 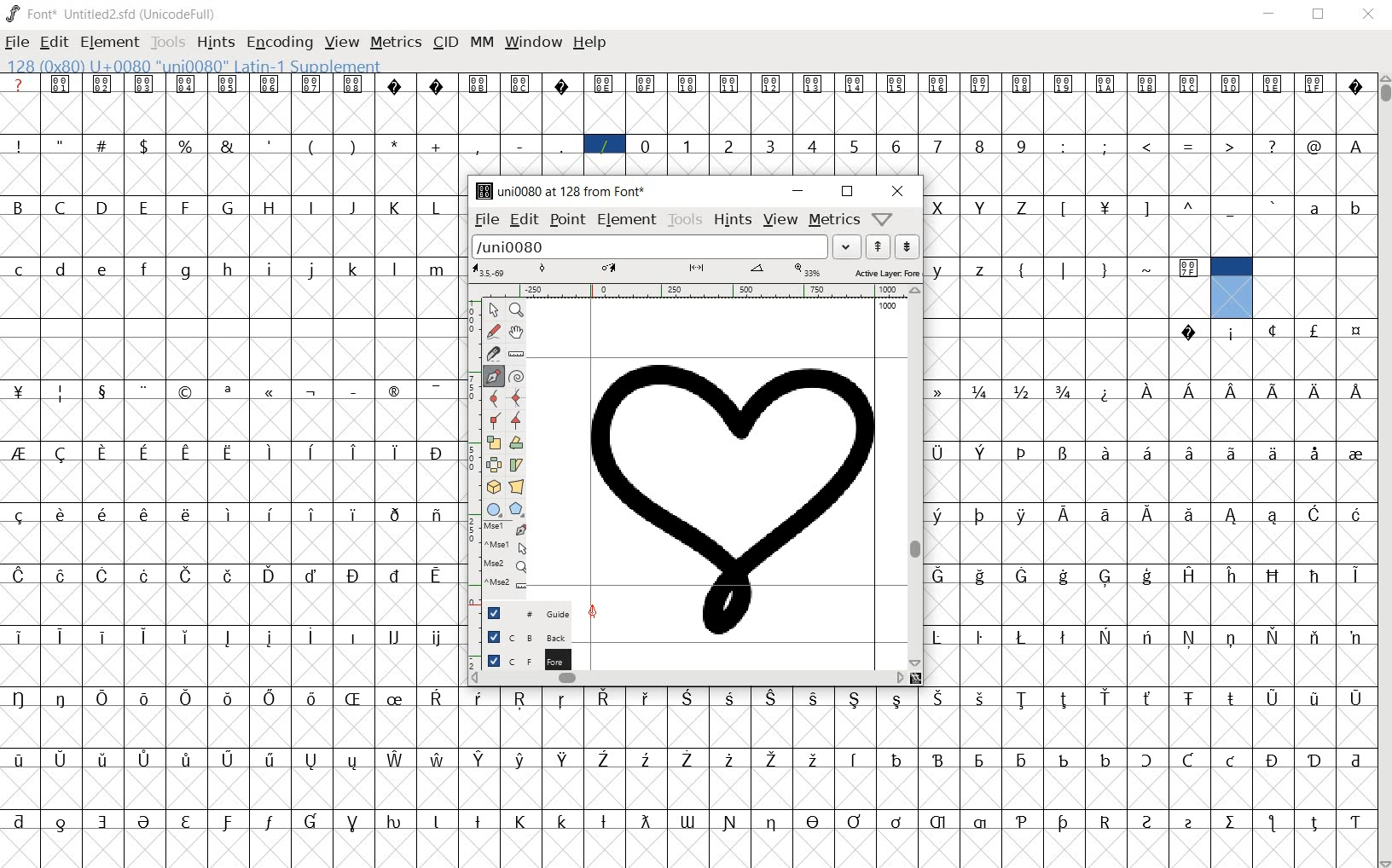 I want to click on glyph, so click(x=353, y=824).